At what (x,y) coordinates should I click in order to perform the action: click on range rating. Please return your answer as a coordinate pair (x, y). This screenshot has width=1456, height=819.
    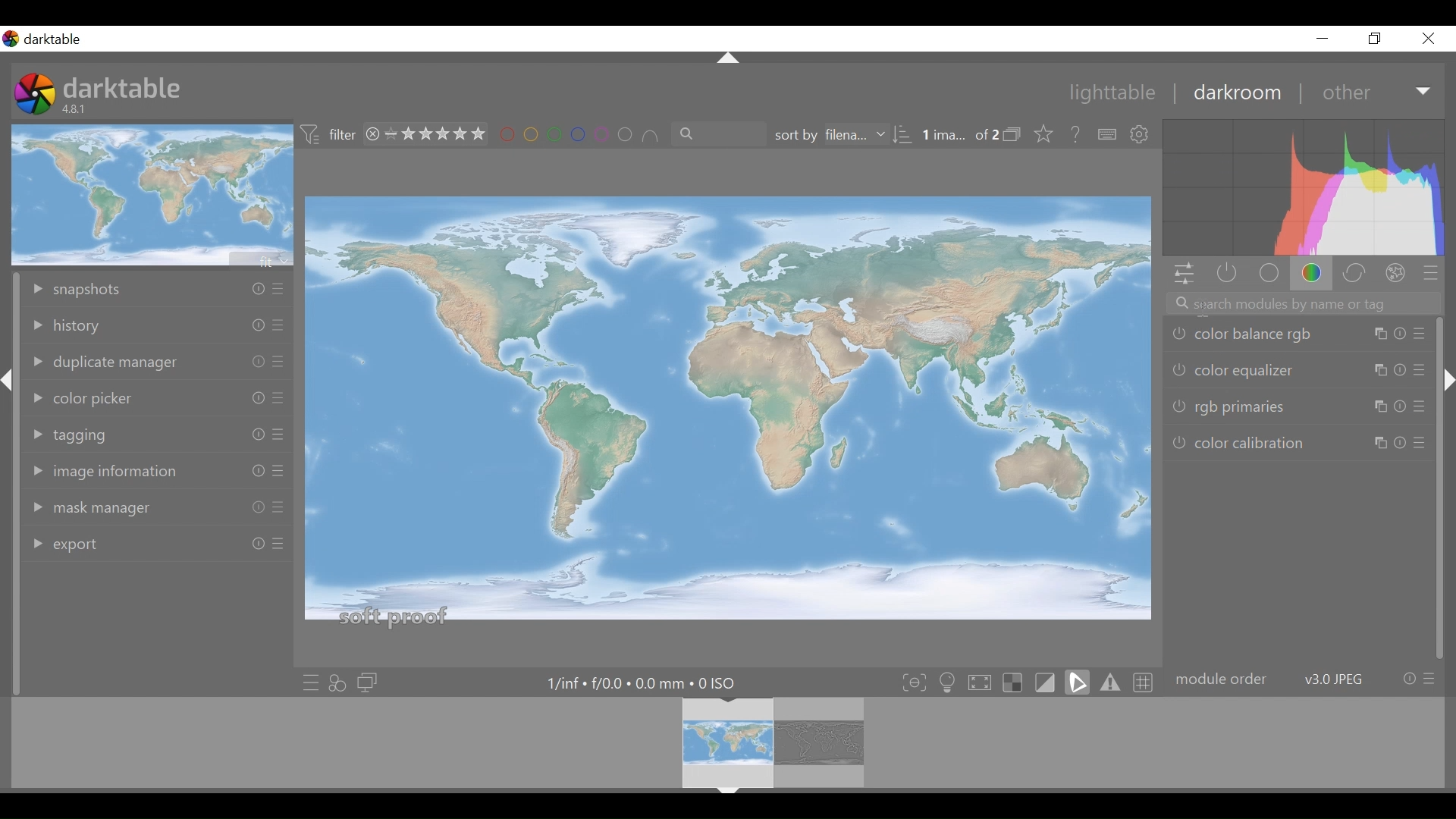
    Looking at the image, I should click on (435, 133).